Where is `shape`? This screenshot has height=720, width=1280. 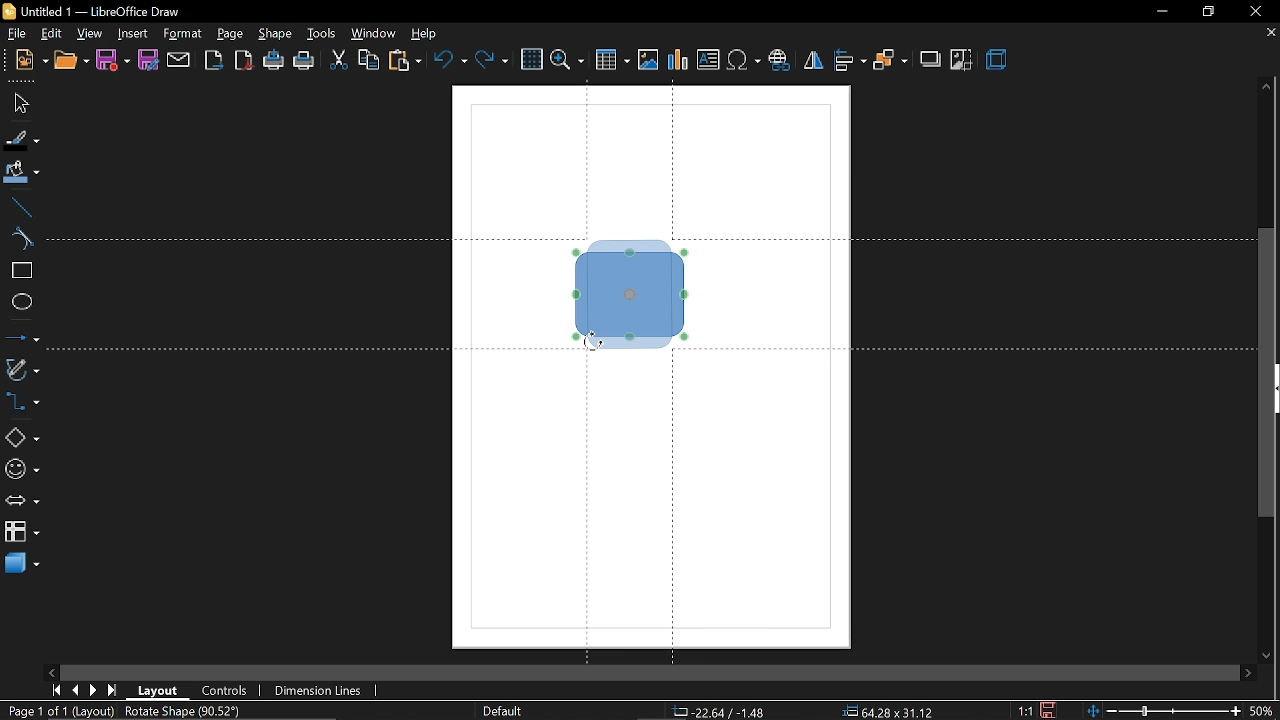 shape is located at coordinates (276, 33).